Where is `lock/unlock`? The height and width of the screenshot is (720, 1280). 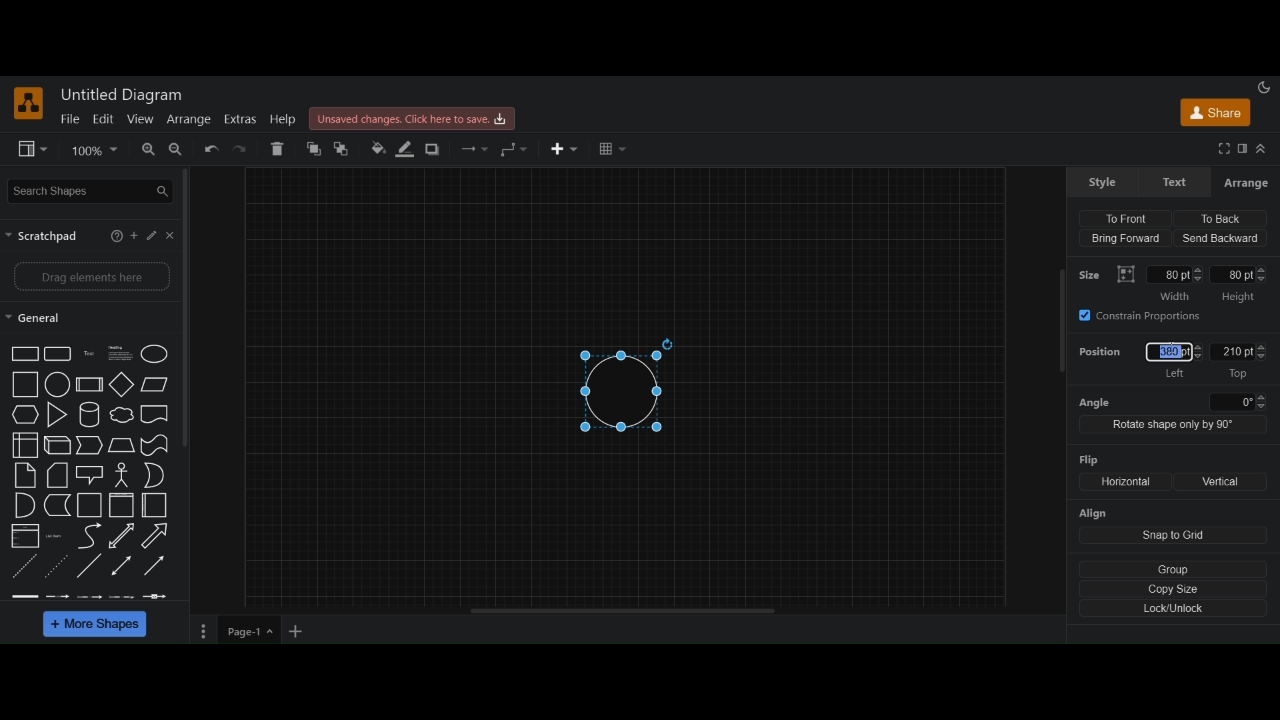 lock/unlock is located at coordinates (1175, 608).